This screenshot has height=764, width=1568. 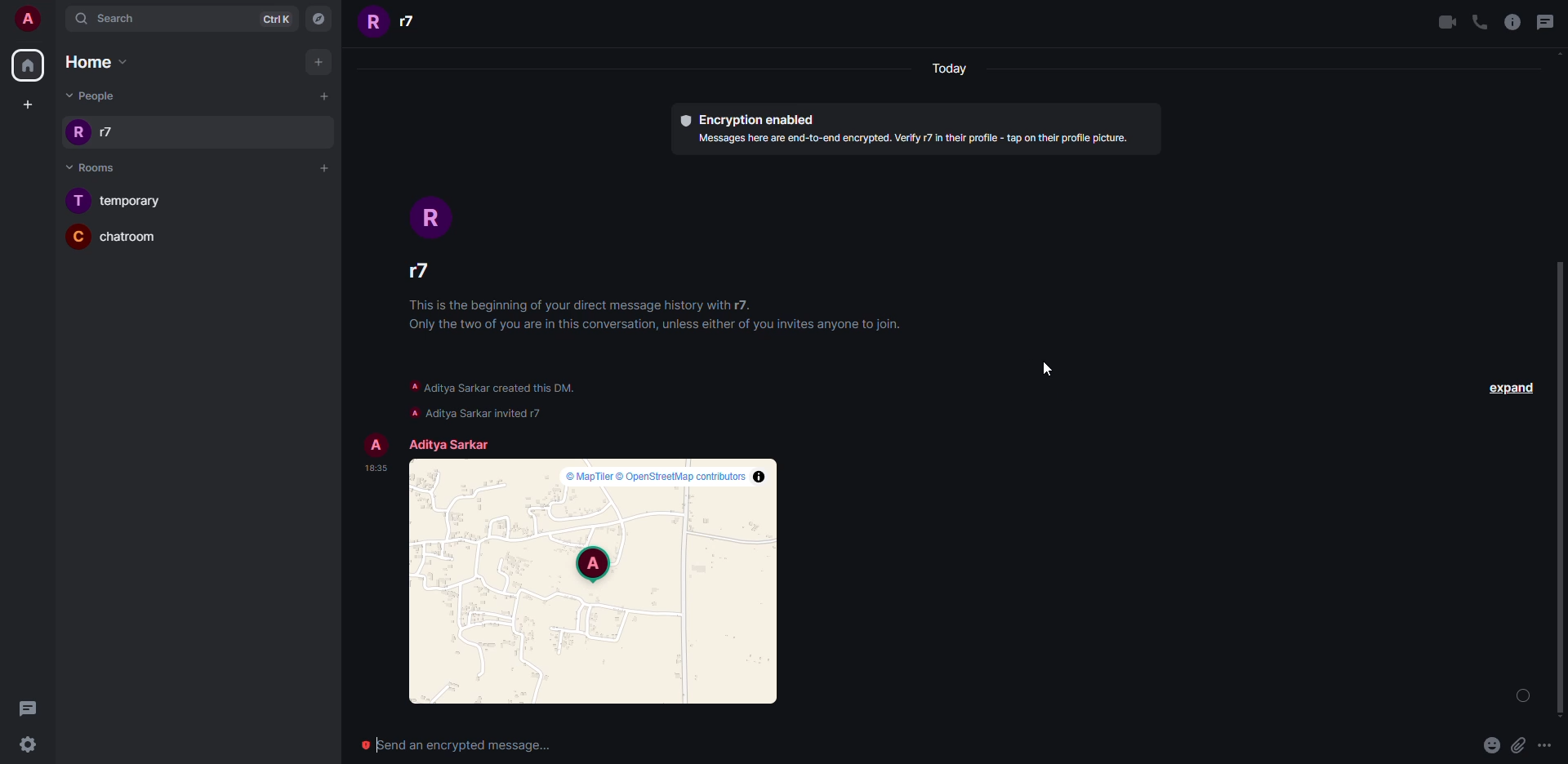 I want to click on info, so click(x=497, y=397).